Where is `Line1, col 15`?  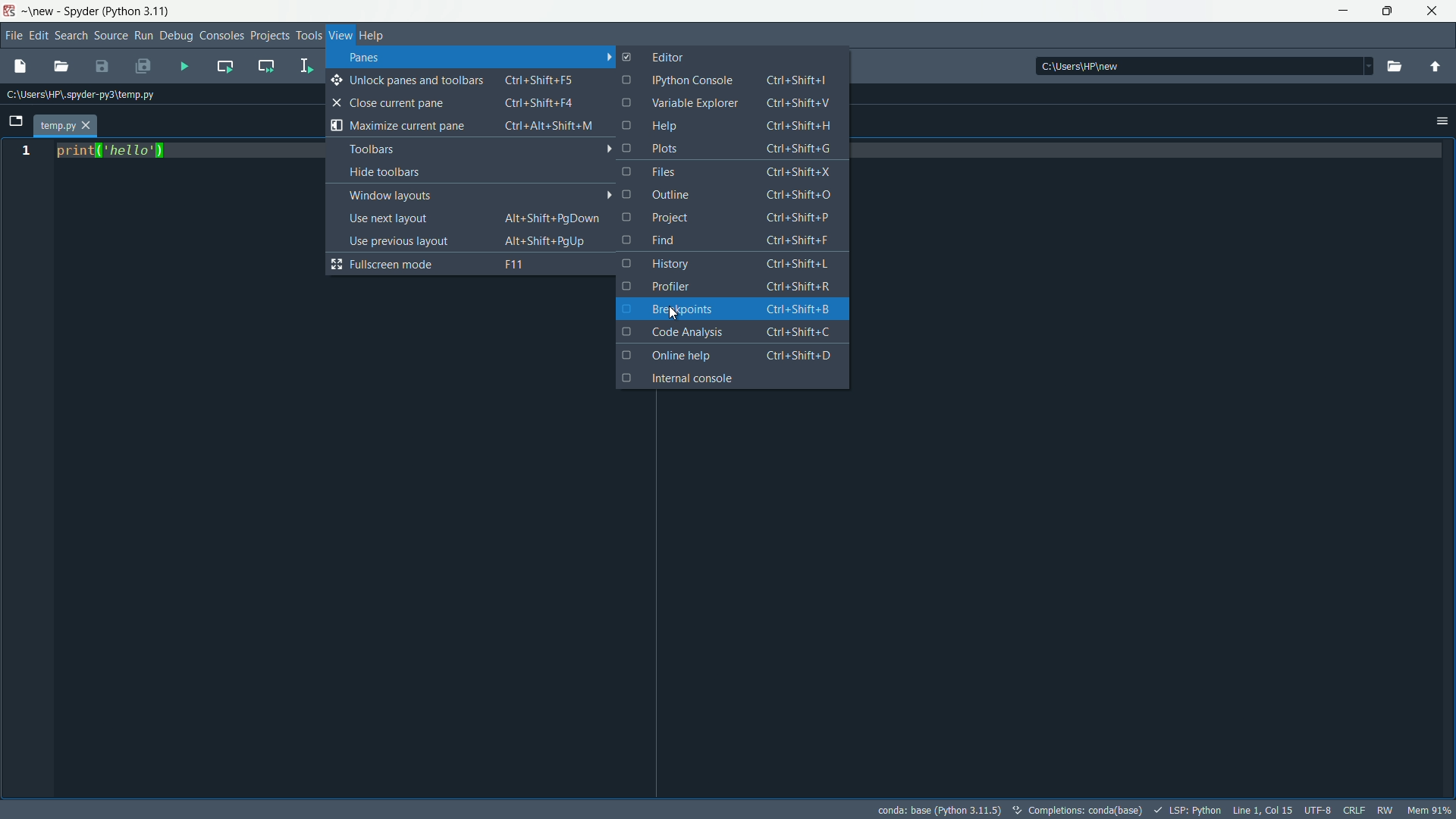 Line1, col 15 is located at coordinates (1263, 810).